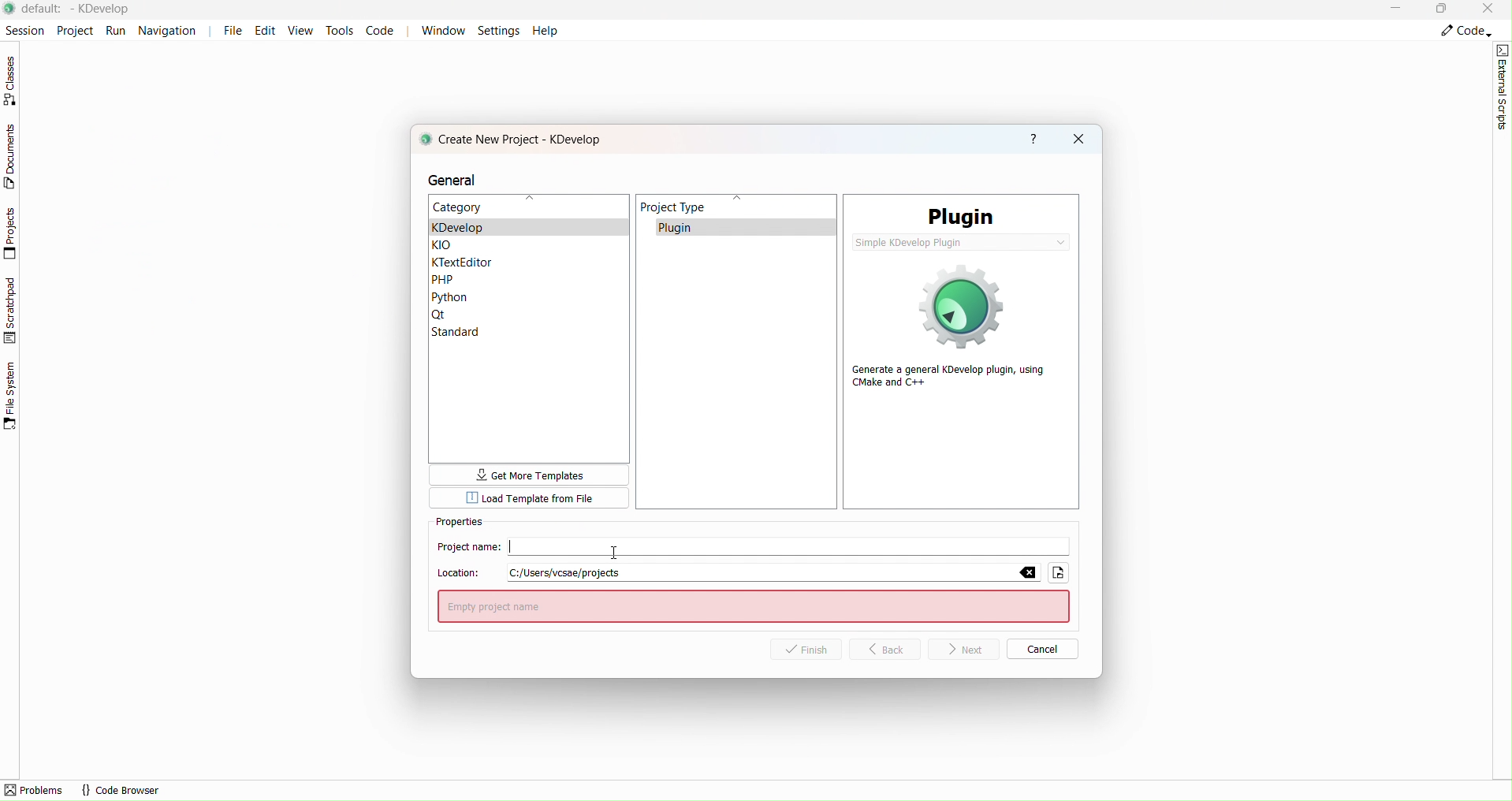  Describe the element at coordinates (463, 261) in the screenshot. I see `Ktexteditor` at that location.